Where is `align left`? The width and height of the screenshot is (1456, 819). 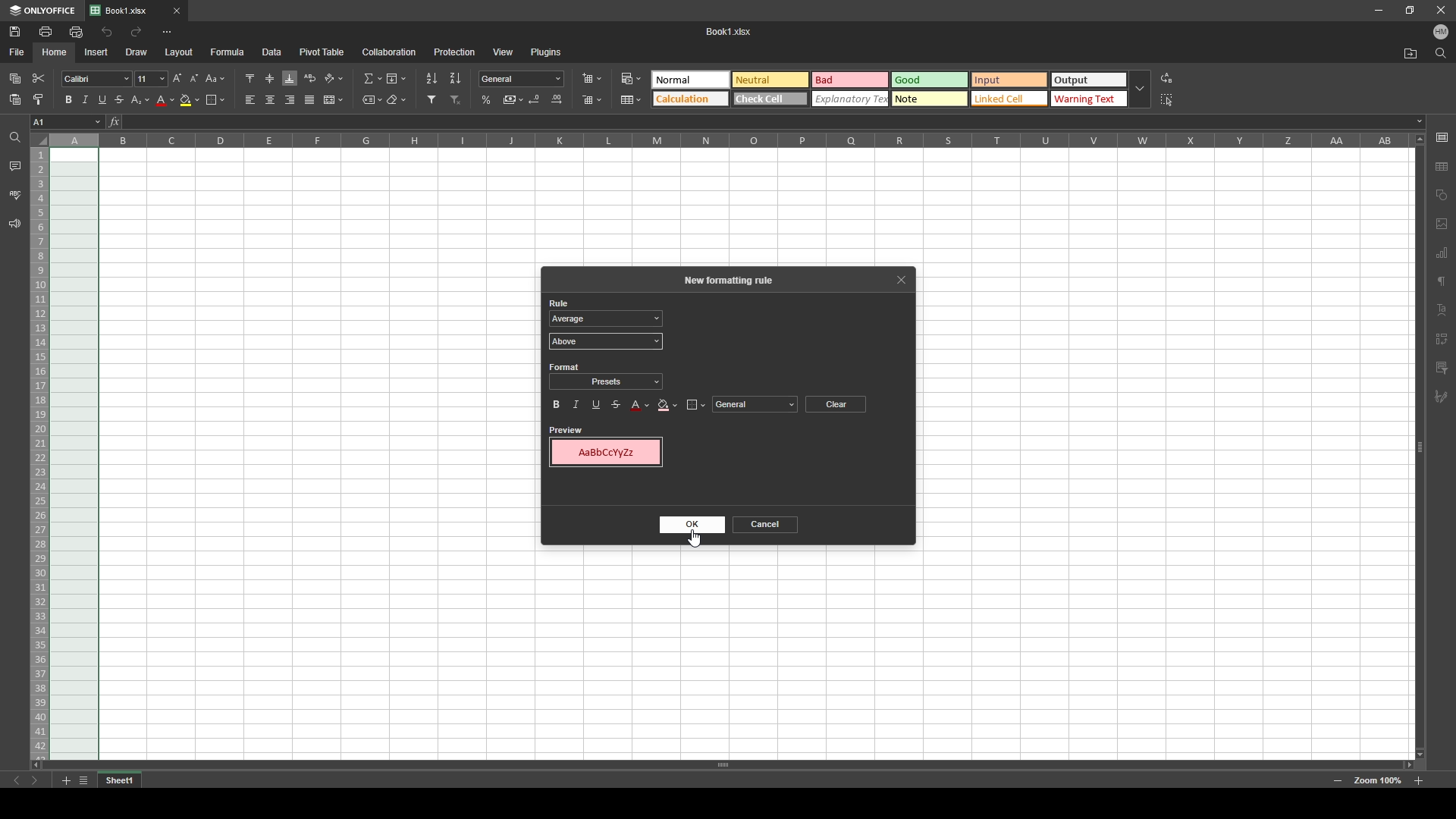 align left is located at coordinates (249, 100).